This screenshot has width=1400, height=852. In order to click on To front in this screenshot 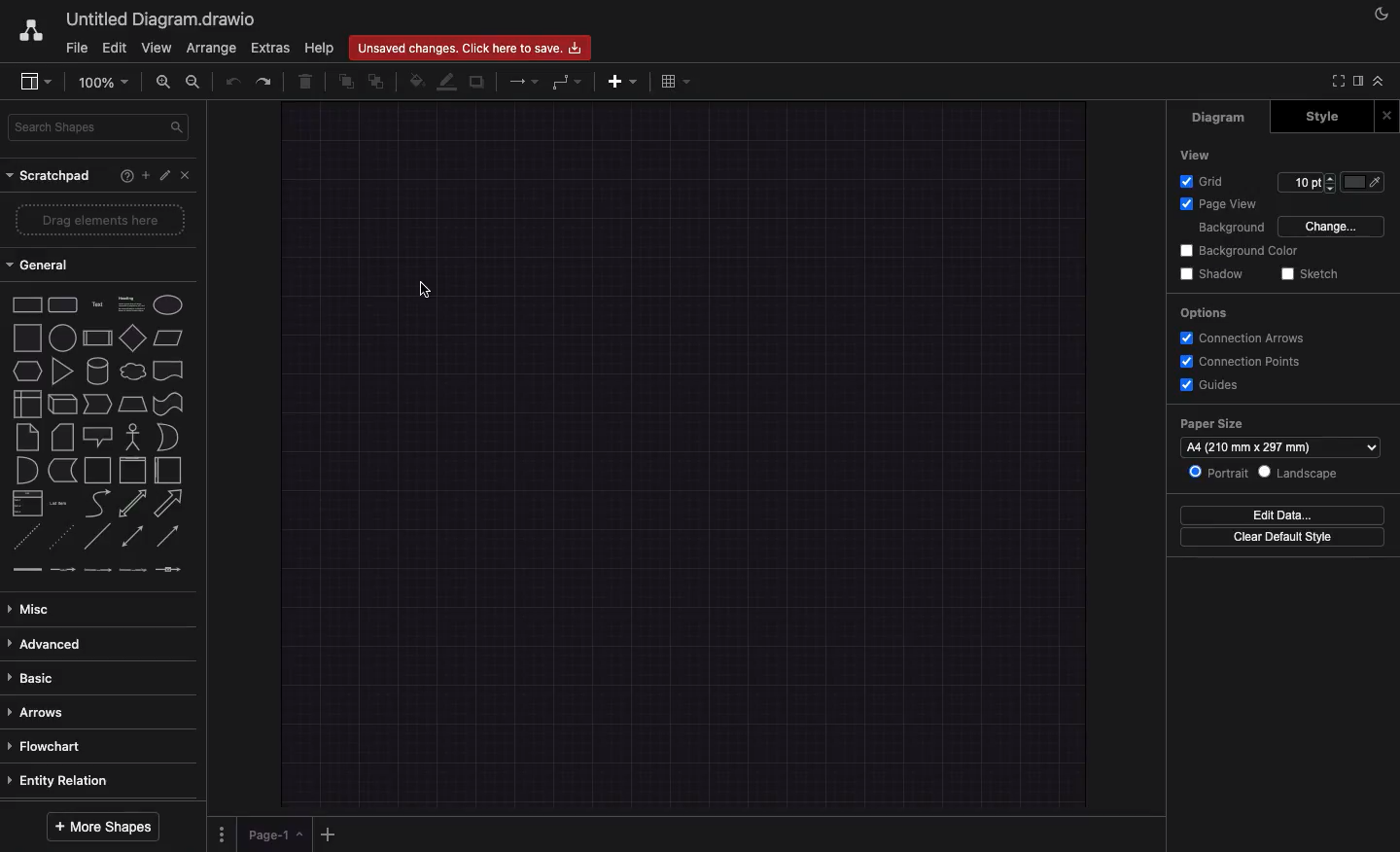, I will do `click(345, 83)`.